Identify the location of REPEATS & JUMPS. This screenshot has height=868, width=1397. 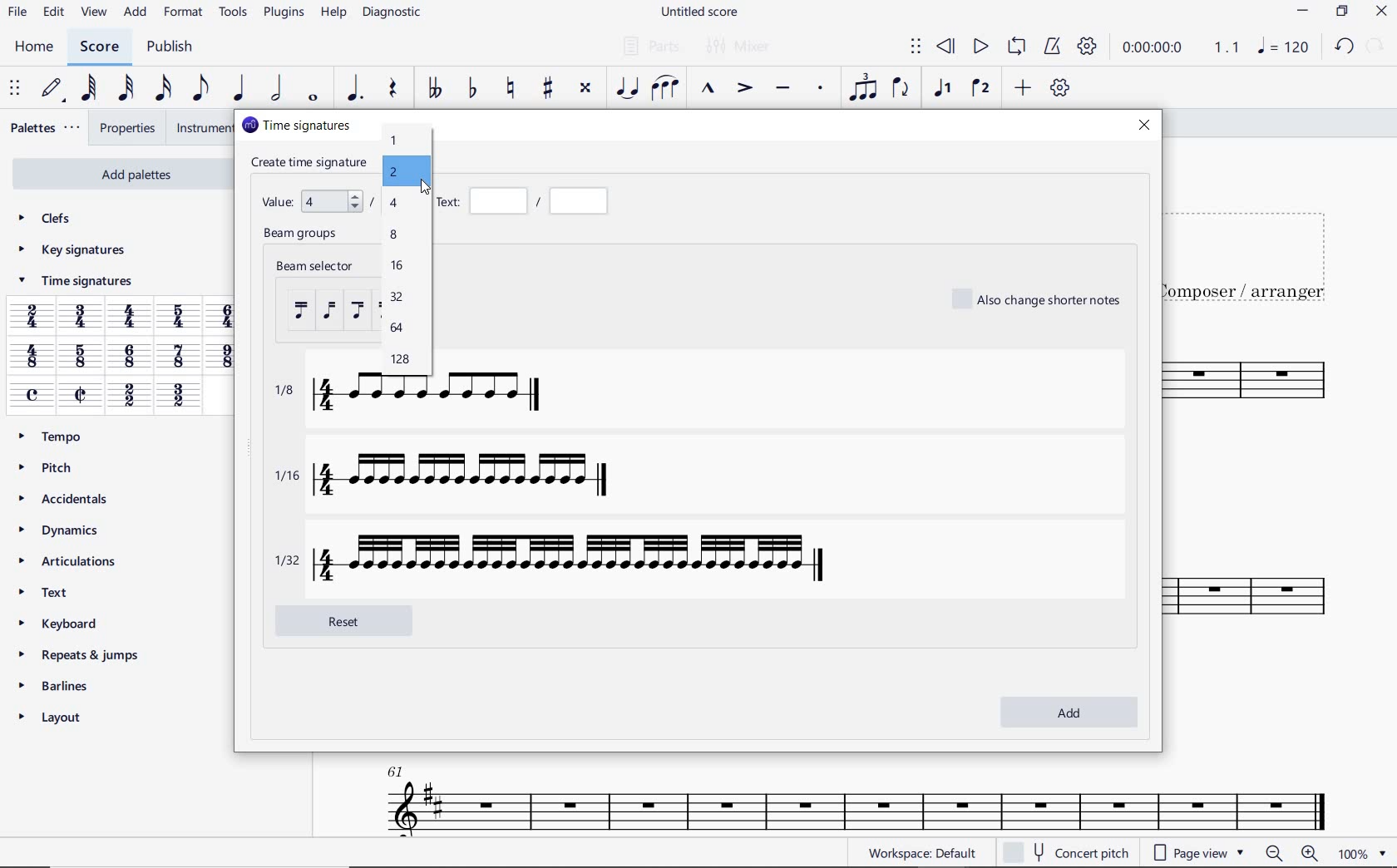
(81, 651).